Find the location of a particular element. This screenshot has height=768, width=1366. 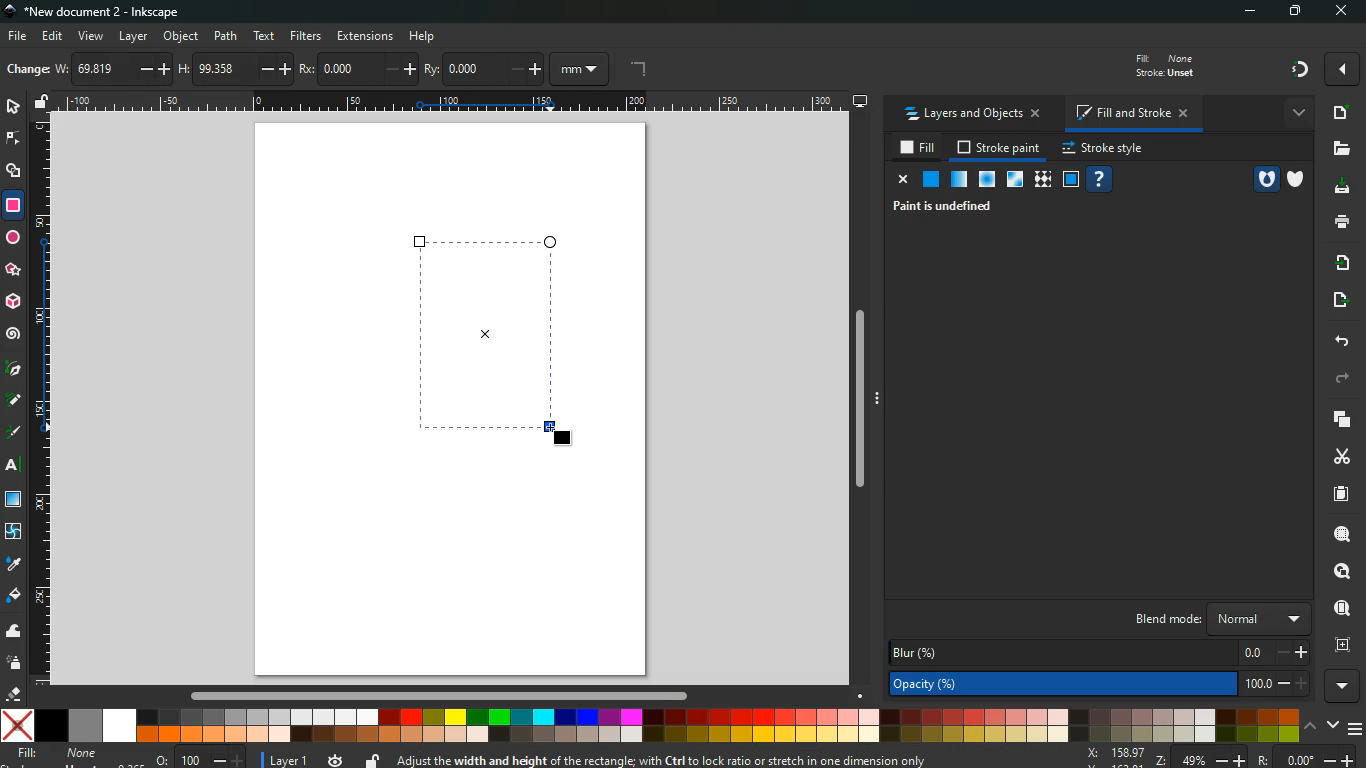

twist is located at coordinates (13, 530).